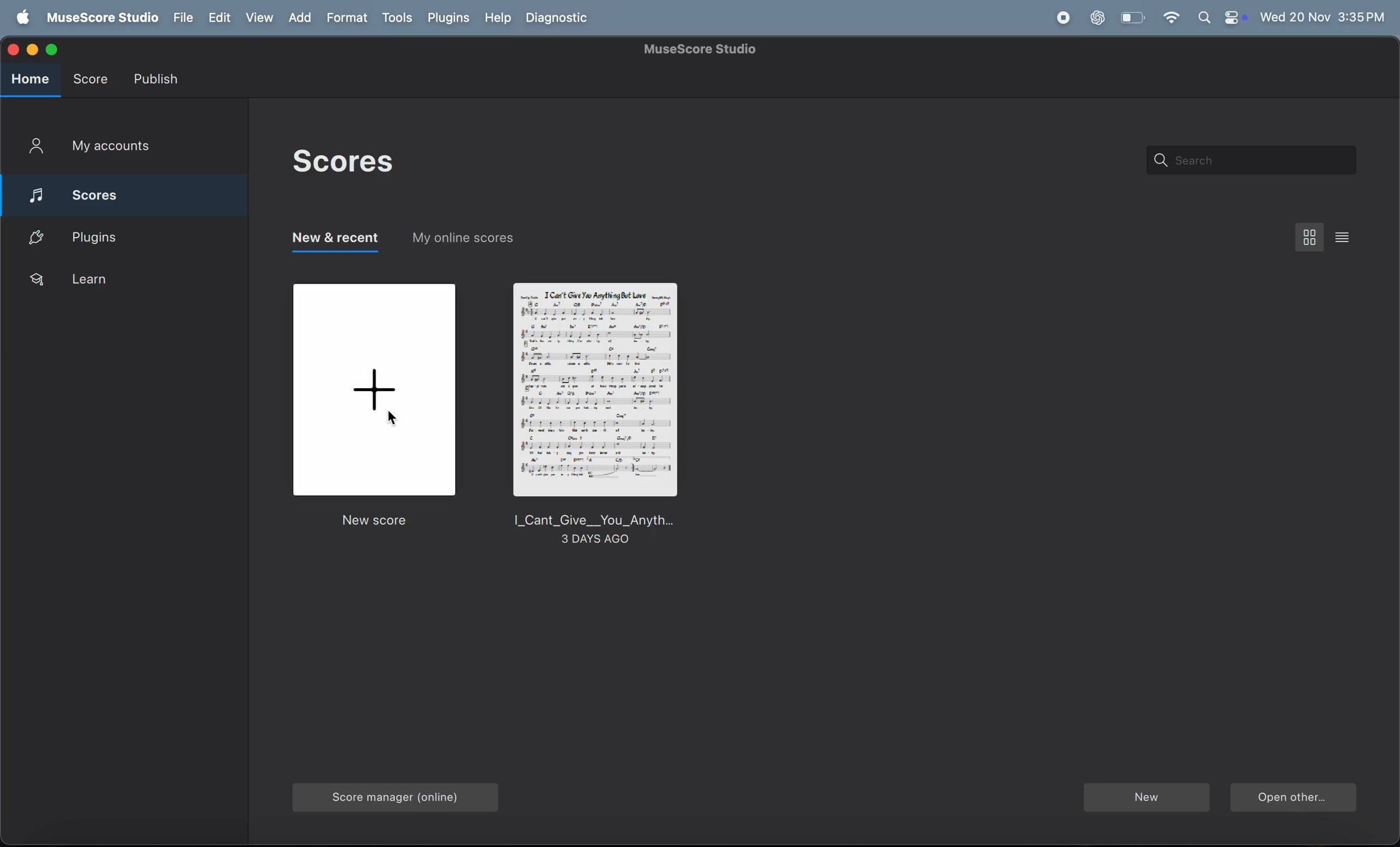  Describe the element at coordinates (1098, 18) in the screenshot. I see `chat gpt` at that location.